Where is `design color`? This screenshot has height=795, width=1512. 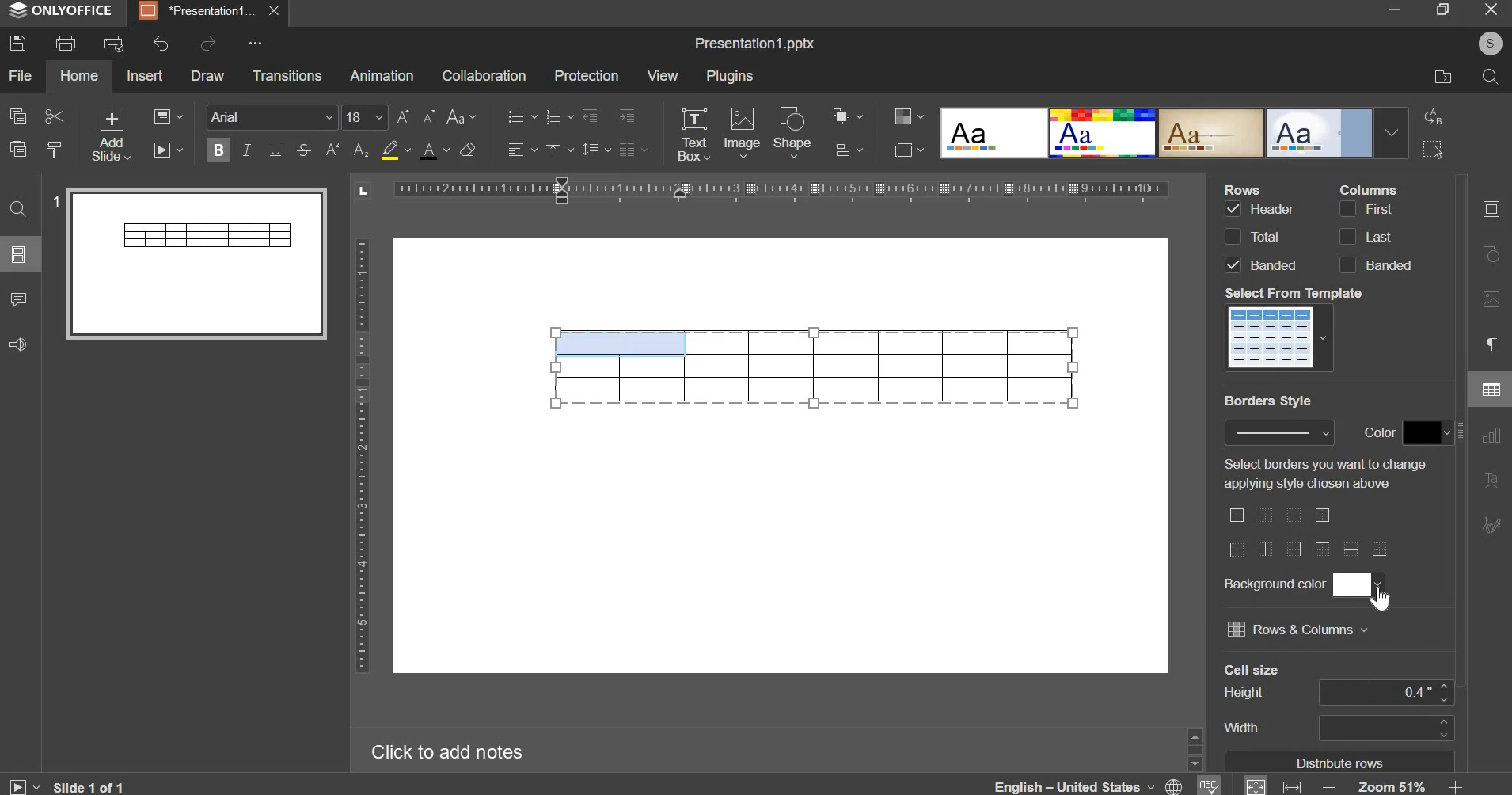 design color is located at coordinates (906, 116).